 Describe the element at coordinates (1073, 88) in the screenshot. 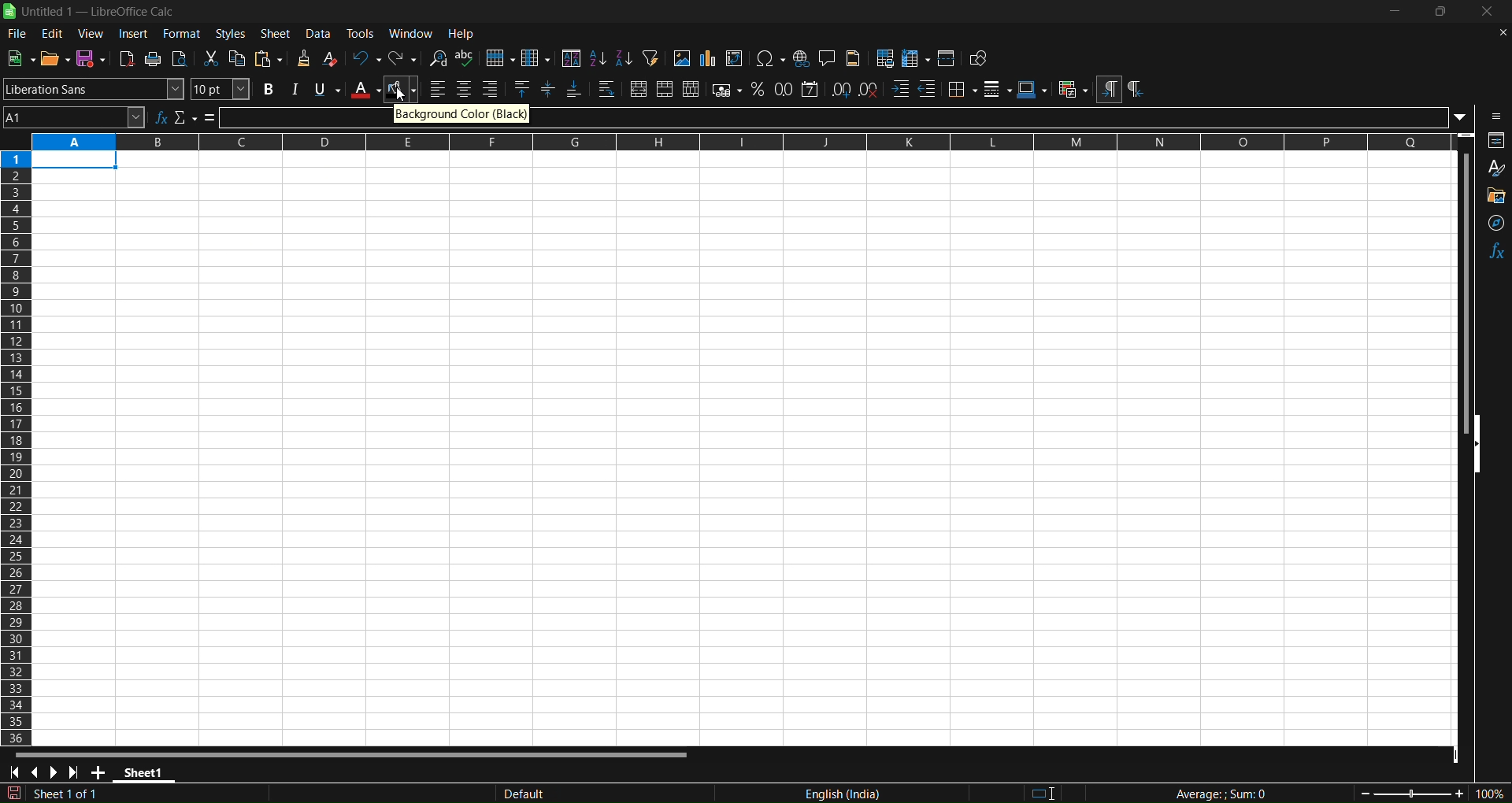

I see `conditional` at that location.